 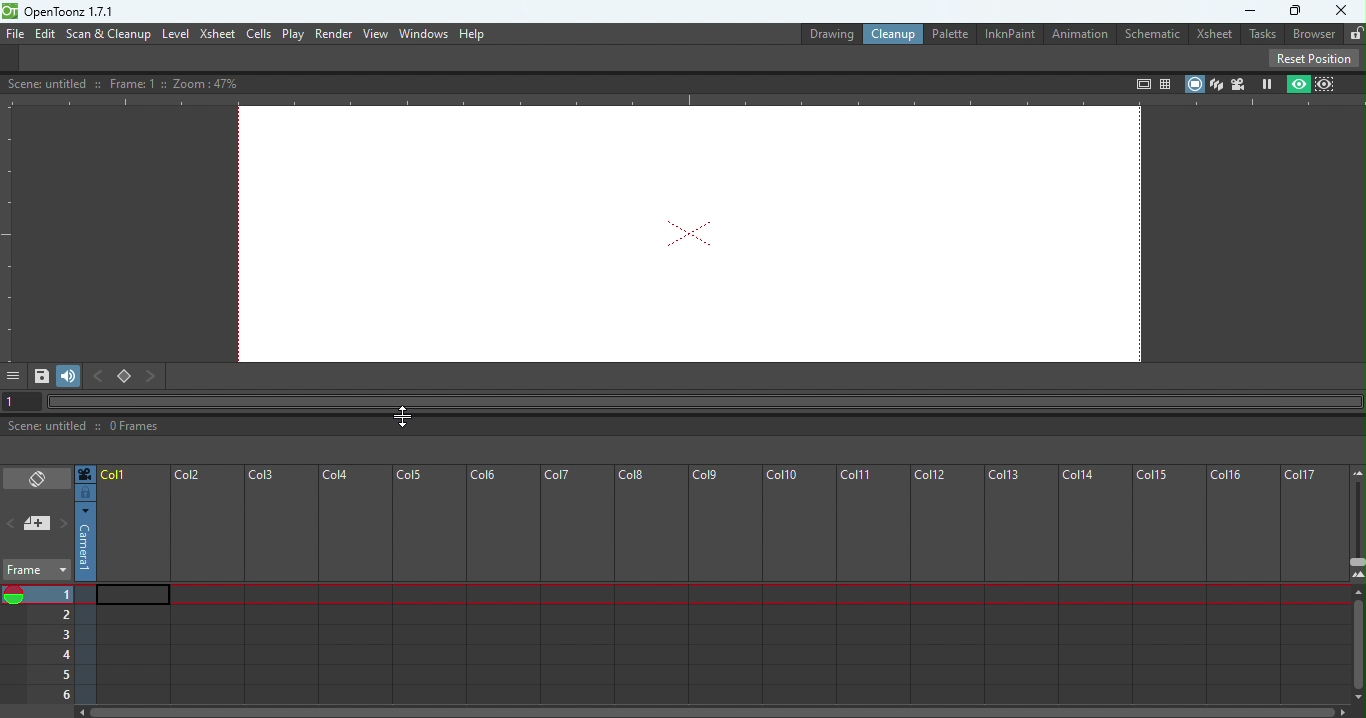 I want to click on , so click(x=15, y=374).